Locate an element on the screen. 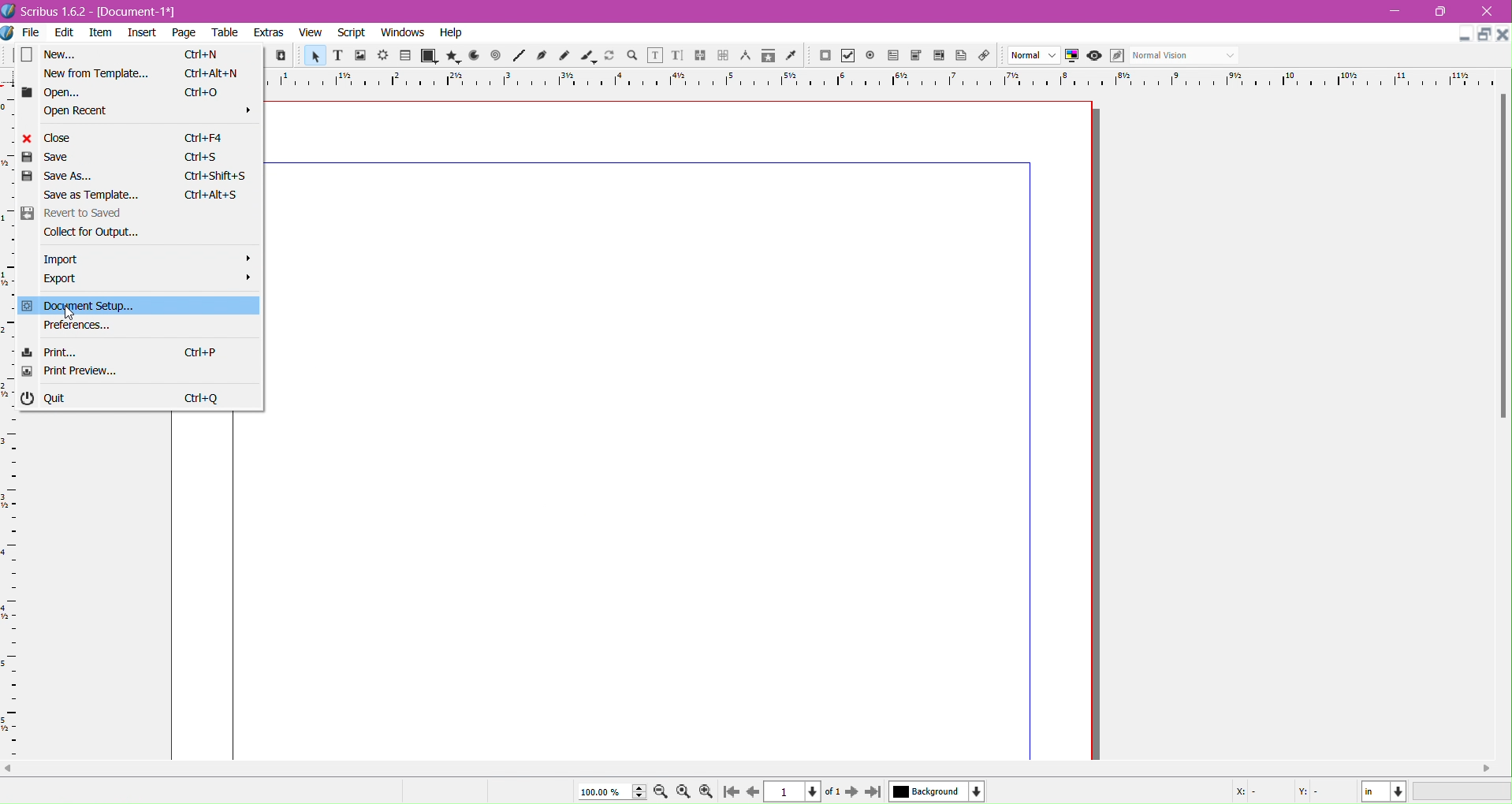  visual appearance of the display is located at coordinates (1183, 56).